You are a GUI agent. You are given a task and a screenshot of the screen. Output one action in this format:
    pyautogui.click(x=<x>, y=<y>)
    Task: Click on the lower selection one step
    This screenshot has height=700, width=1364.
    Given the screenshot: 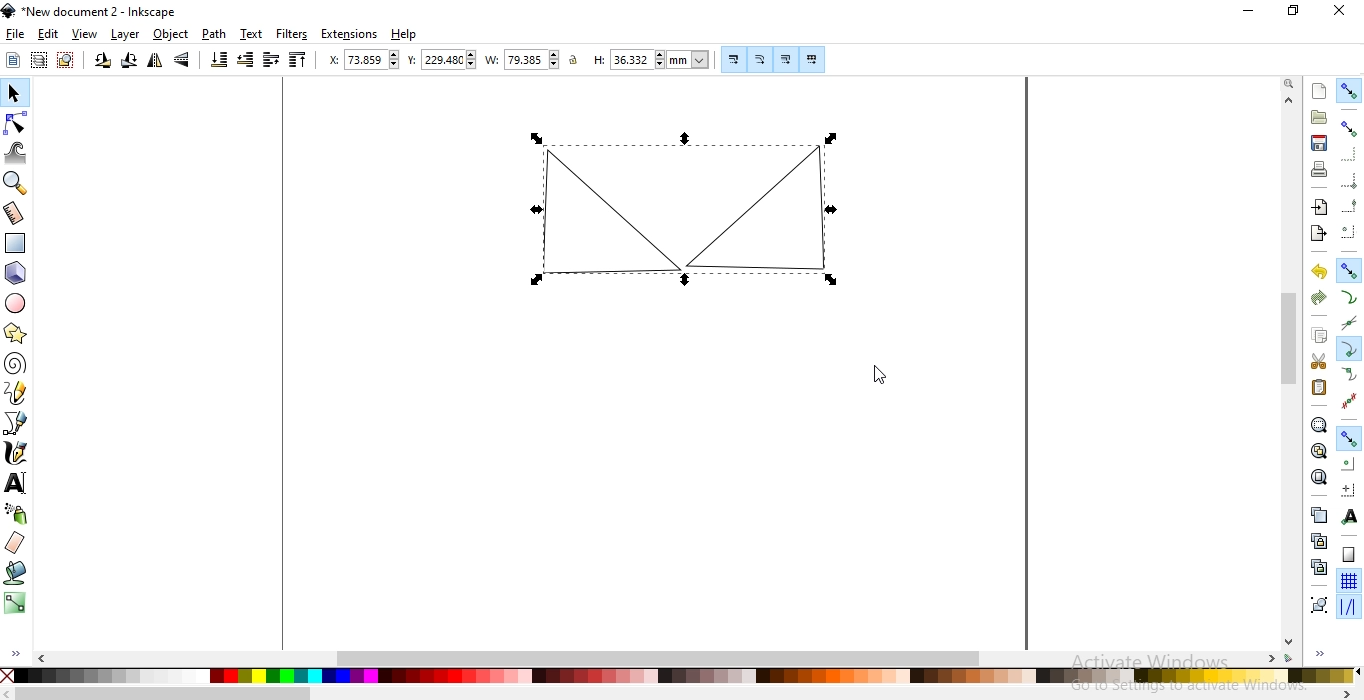 What is the action you would take?
    pyautogui.click(x=247, y=61)
    